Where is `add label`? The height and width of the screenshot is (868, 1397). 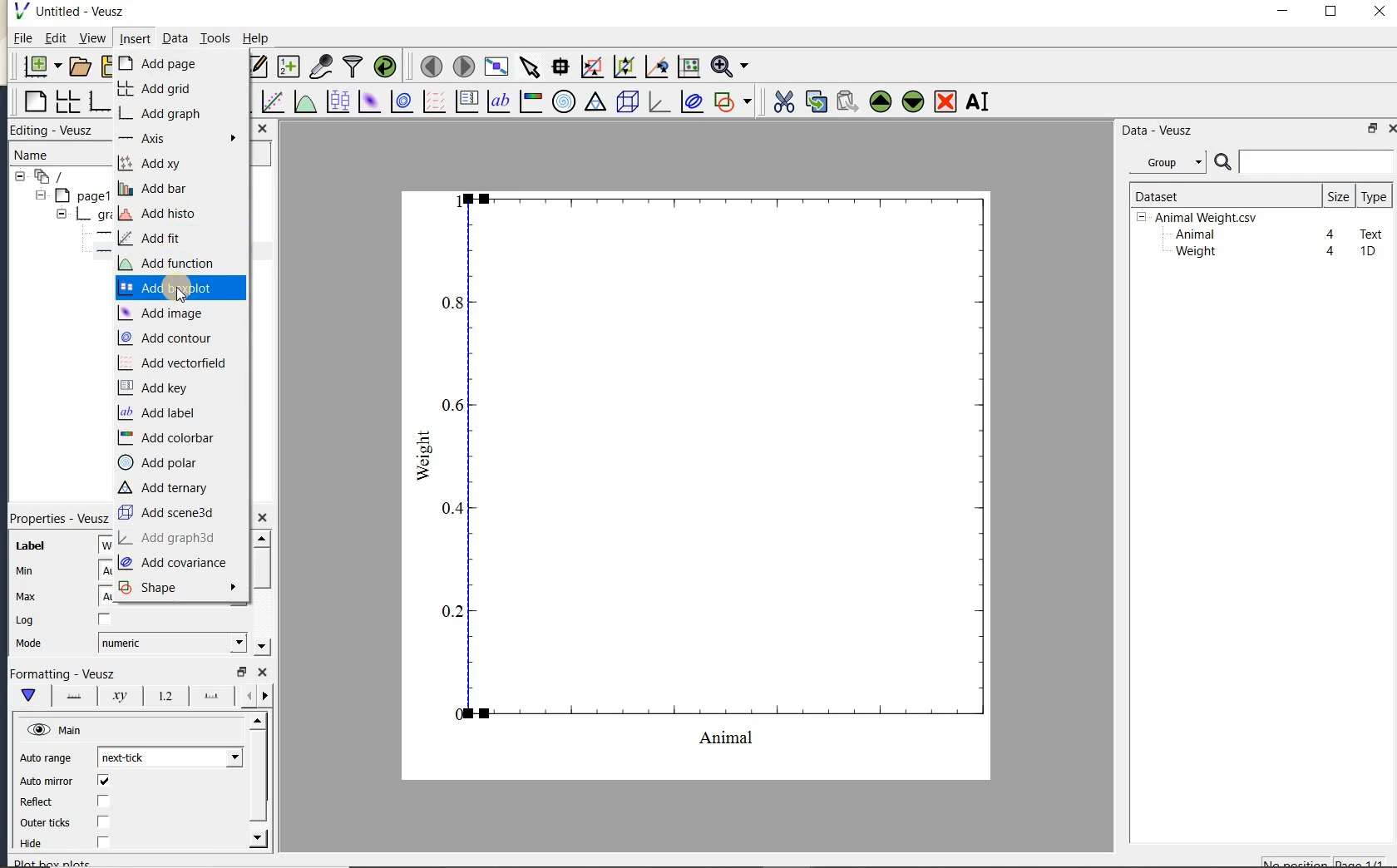 add label is located at coordinates (159, 413).